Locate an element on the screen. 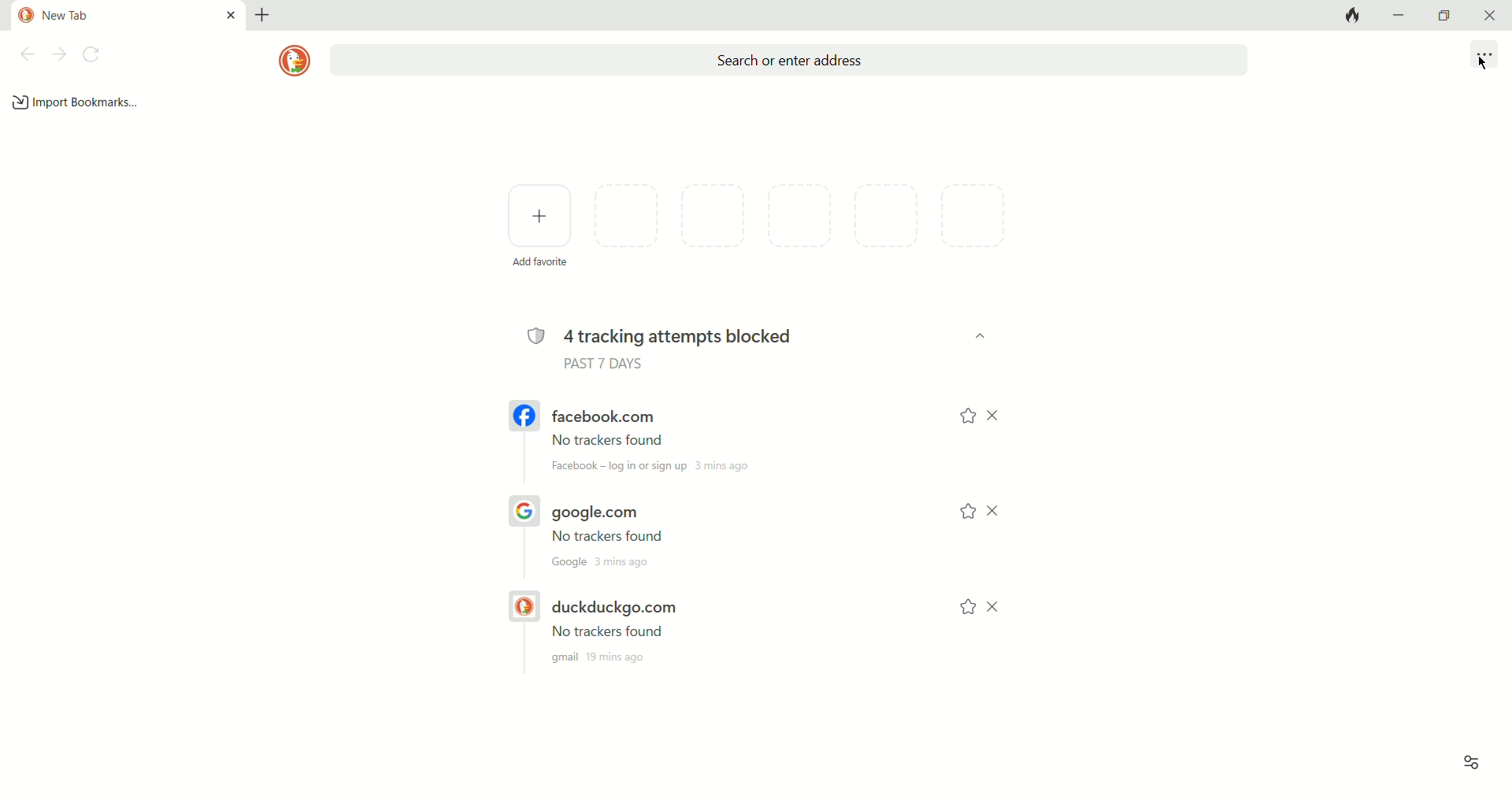  more options    is located at coordinates (1487, 59).